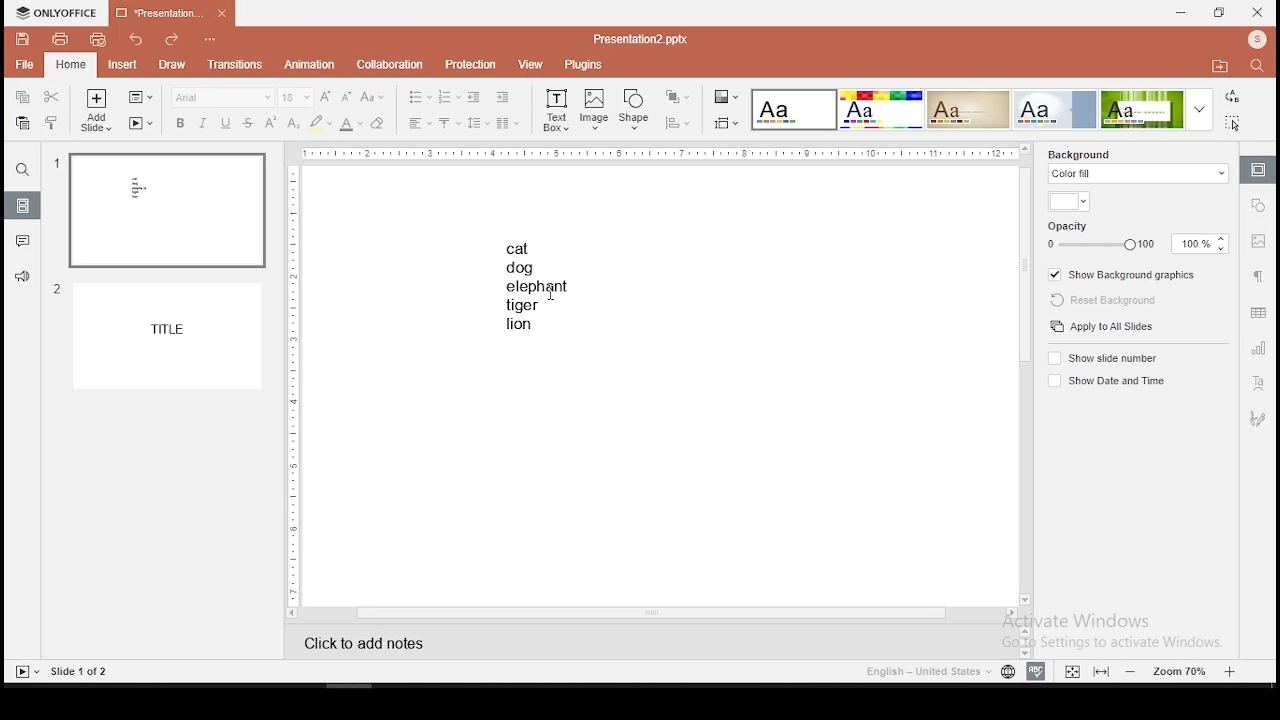 The image size is (1280, 720). What do you see at coordinates (676, 123) in the screenshot?
I see `align objects` at bounding box center [676, 123].